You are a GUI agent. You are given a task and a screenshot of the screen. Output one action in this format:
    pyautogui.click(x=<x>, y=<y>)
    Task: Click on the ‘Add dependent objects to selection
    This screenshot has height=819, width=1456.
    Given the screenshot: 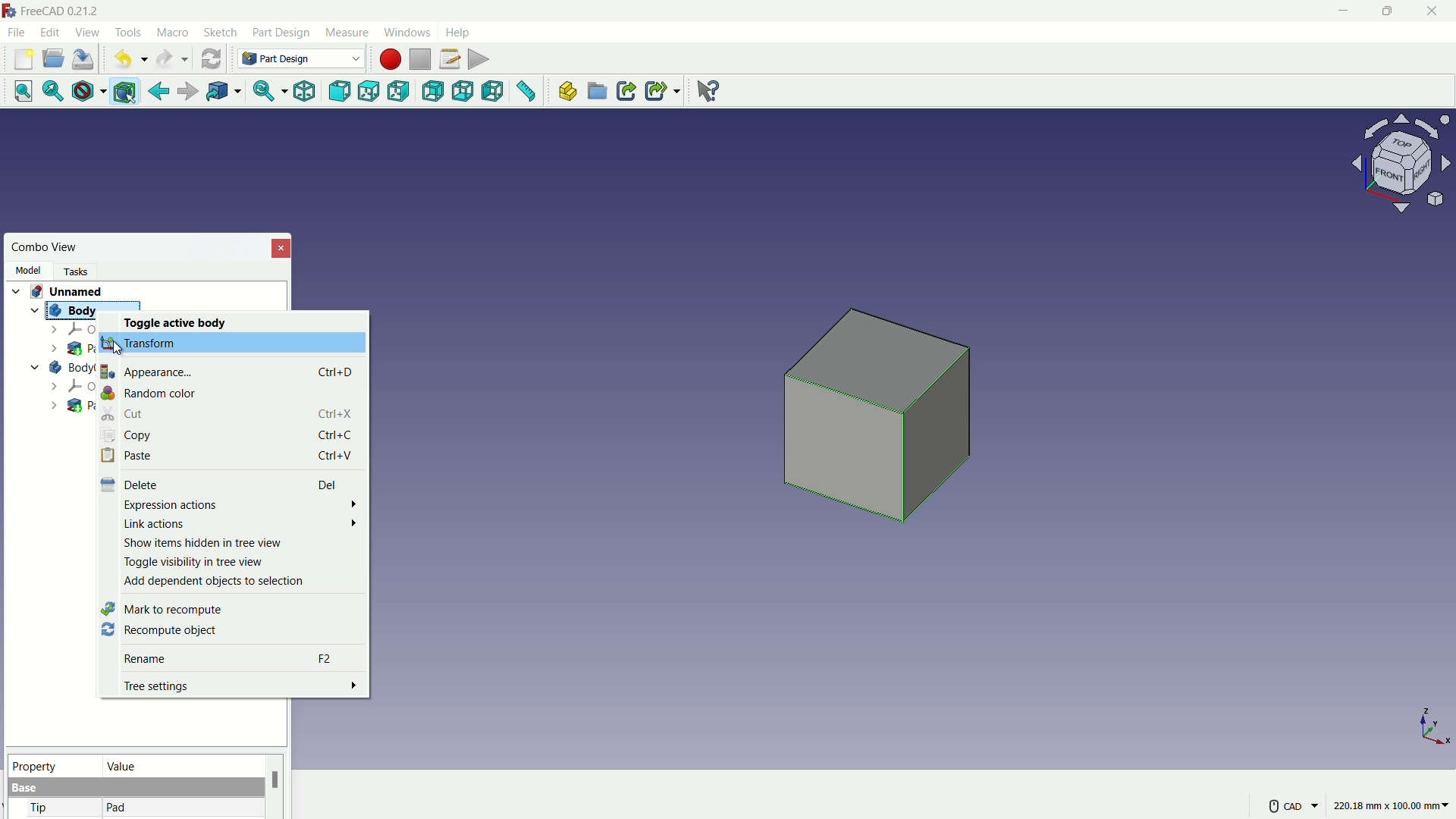 What is the action you would take?
    pyautogui.click(x=217, y=582)
    